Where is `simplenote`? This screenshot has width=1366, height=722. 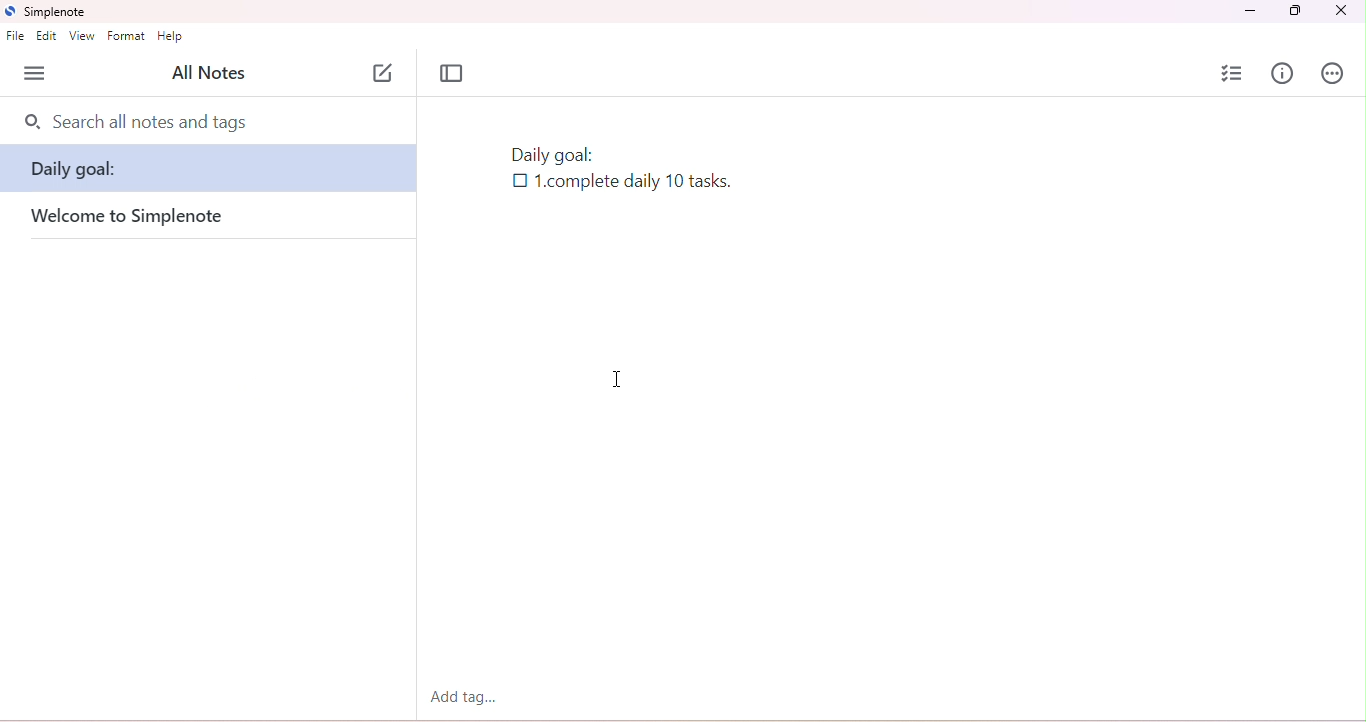
simplenote is located at coordinates (55, 13).